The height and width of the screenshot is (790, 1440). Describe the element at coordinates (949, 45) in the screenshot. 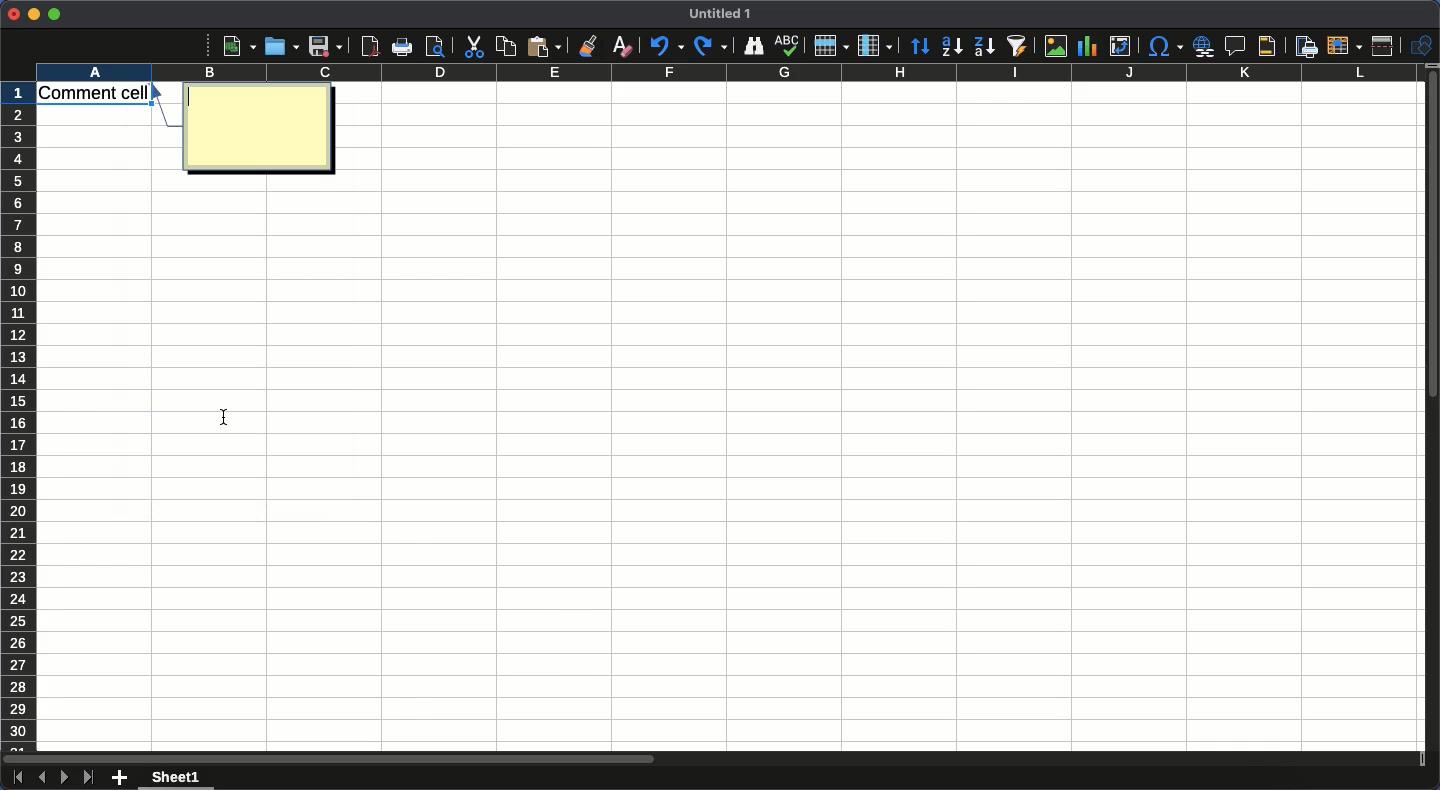

I see `Ascending` at that location.